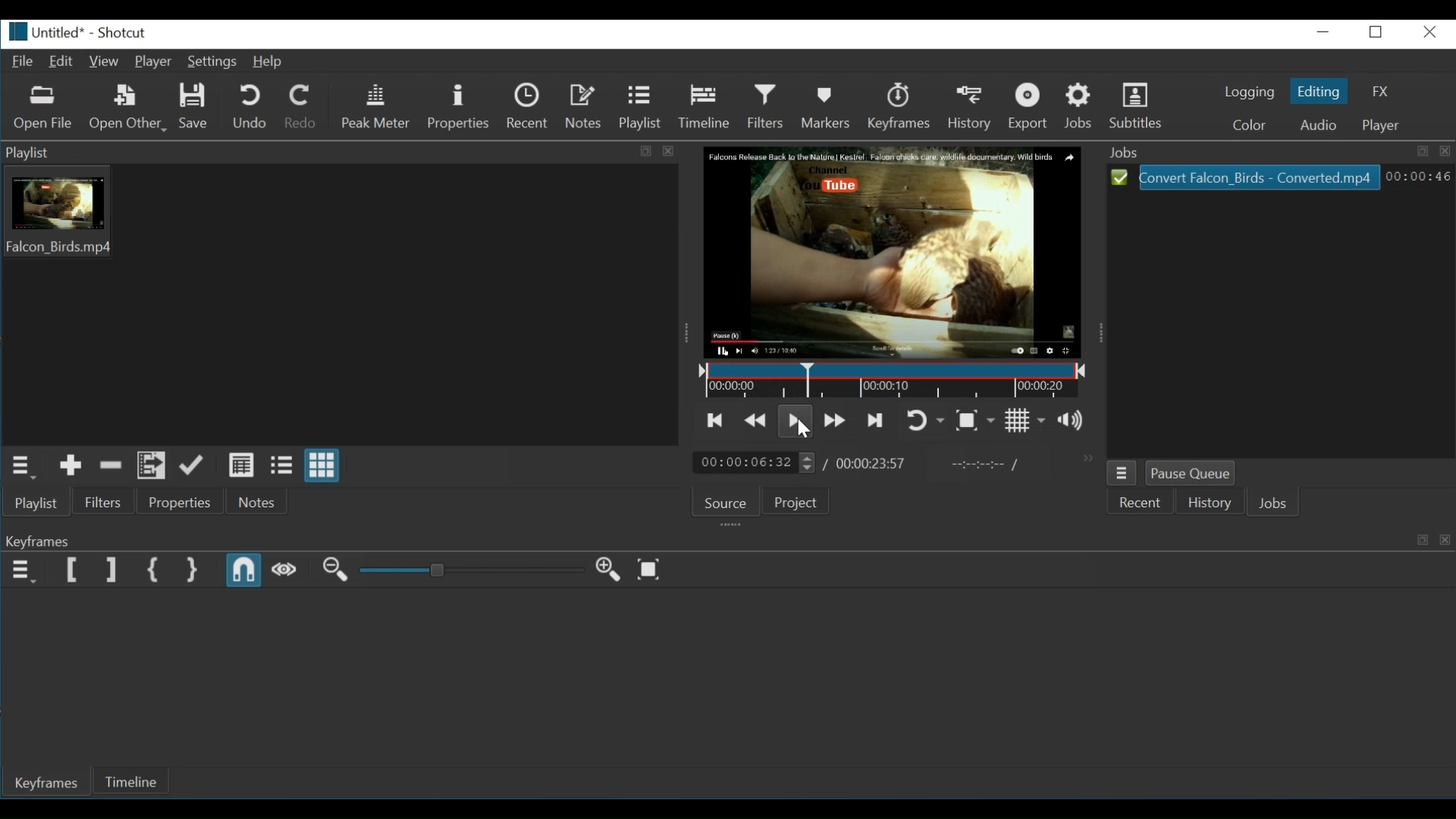 Image resolution: width=1456 pixels, height=819 pixels. What do you see at coordinates (1140, 504) in the screenshot?
I see `Recent` at bounding box center [1140, 504].